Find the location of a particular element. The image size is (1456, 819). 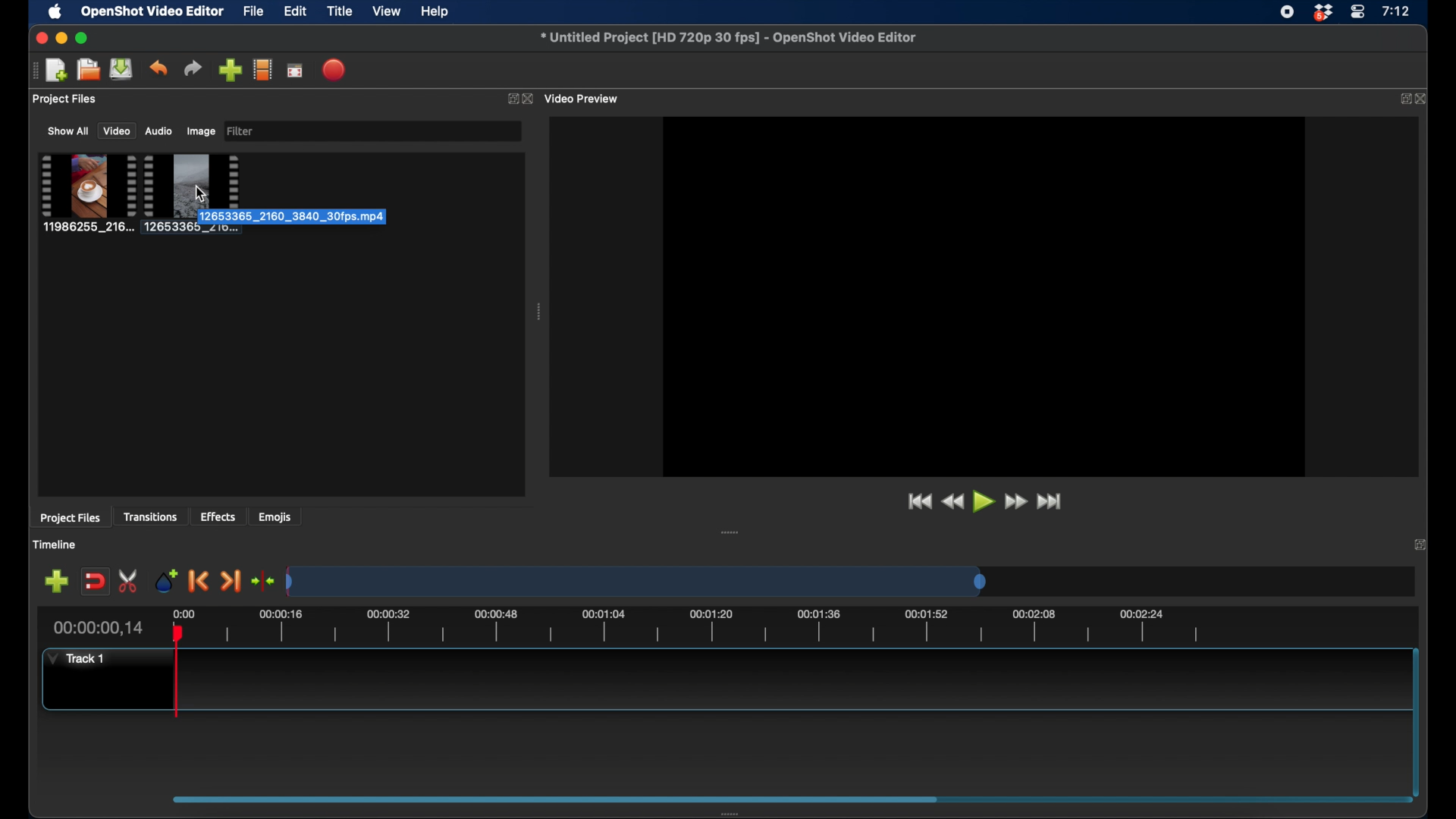

playhead is located at coordinates (179, 673).